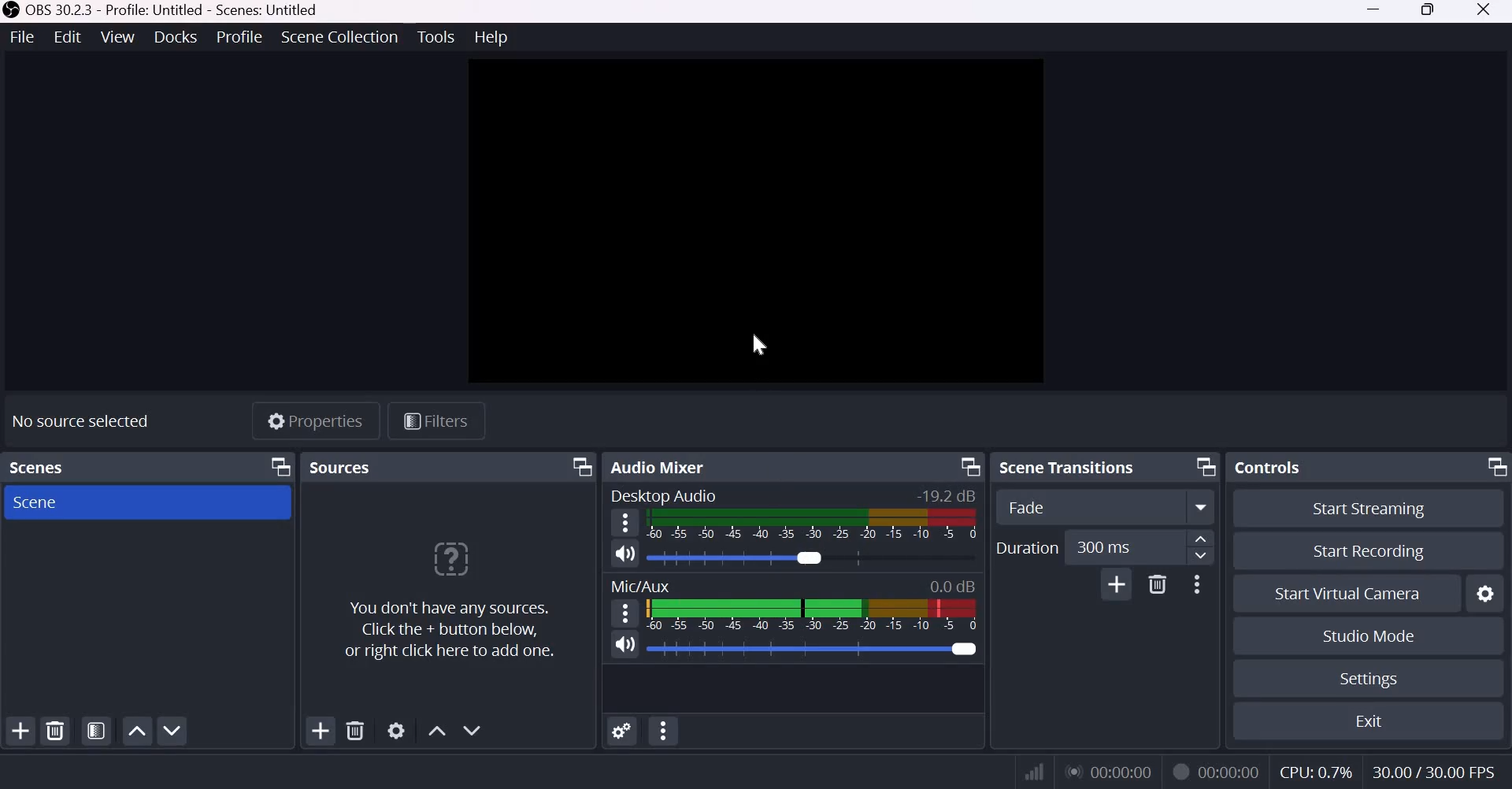 Image resolution: width=1512 pixels, height=789 pixels. Describe the element at coordinates (577, 467) in the screenshot. I see `Dock Options icon` at that location.